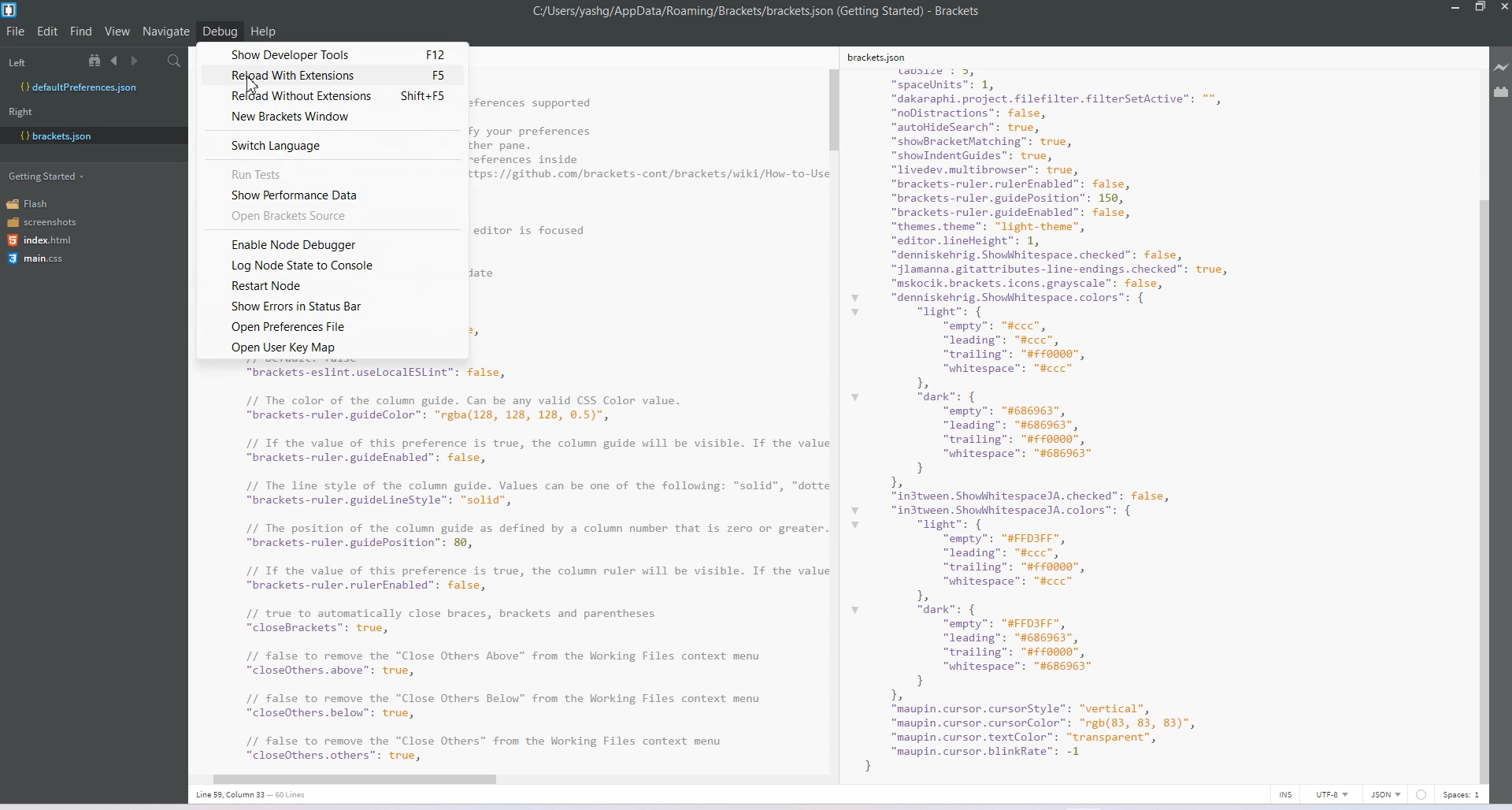  Describe the element at coordinates (45, 240) in the screenshot. I see `index.html` at that location.